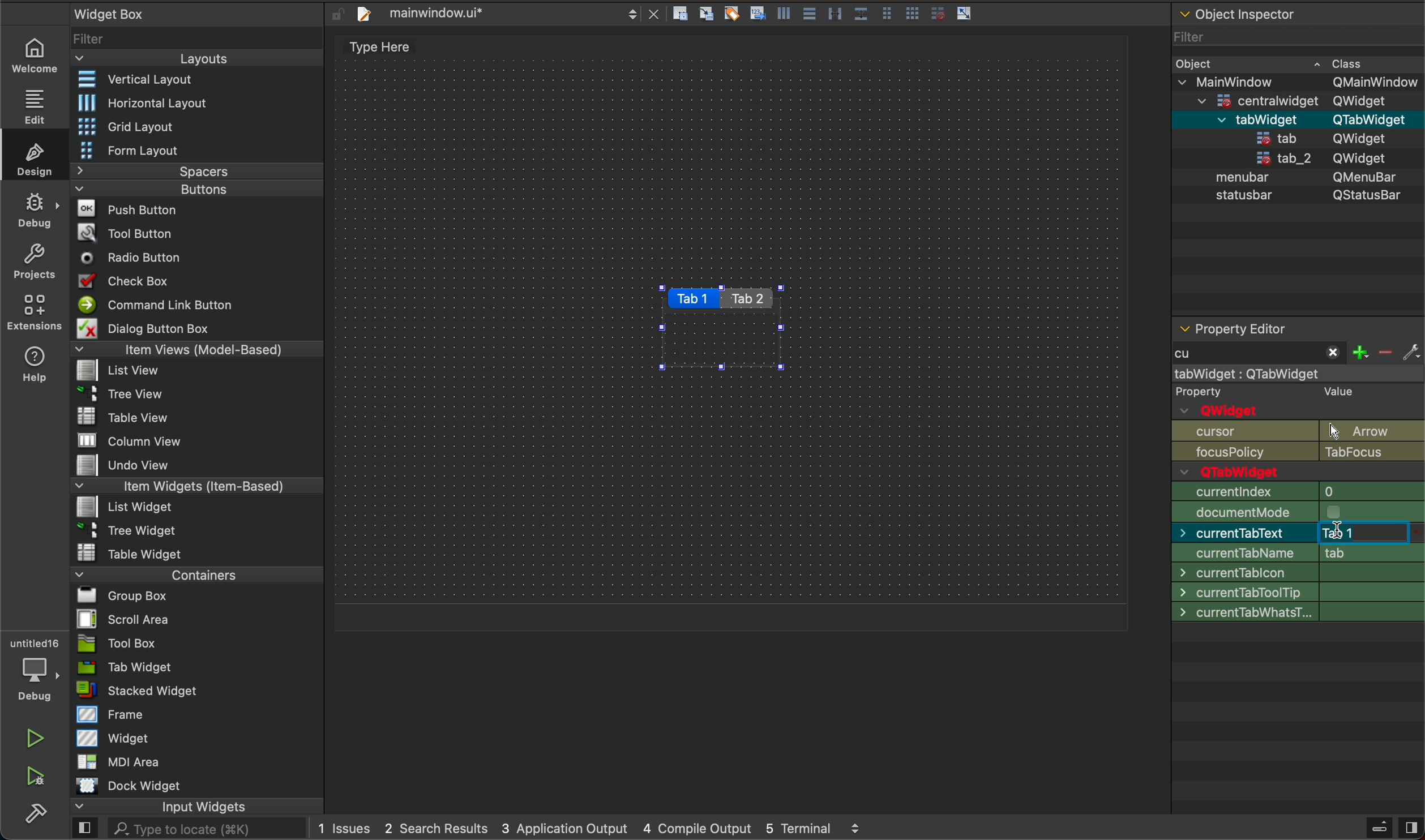 The height and width of the screenshot is (840, 1425). I want to click on statusbar, so click(1247, 198).